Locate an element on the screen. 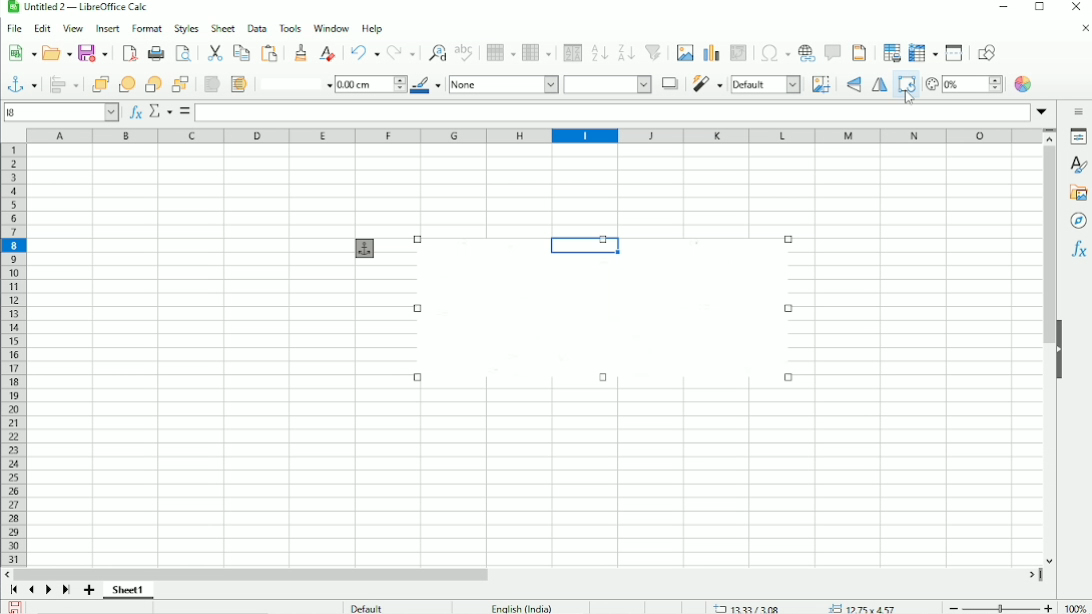  Area style is located at coordinates (608, 84).